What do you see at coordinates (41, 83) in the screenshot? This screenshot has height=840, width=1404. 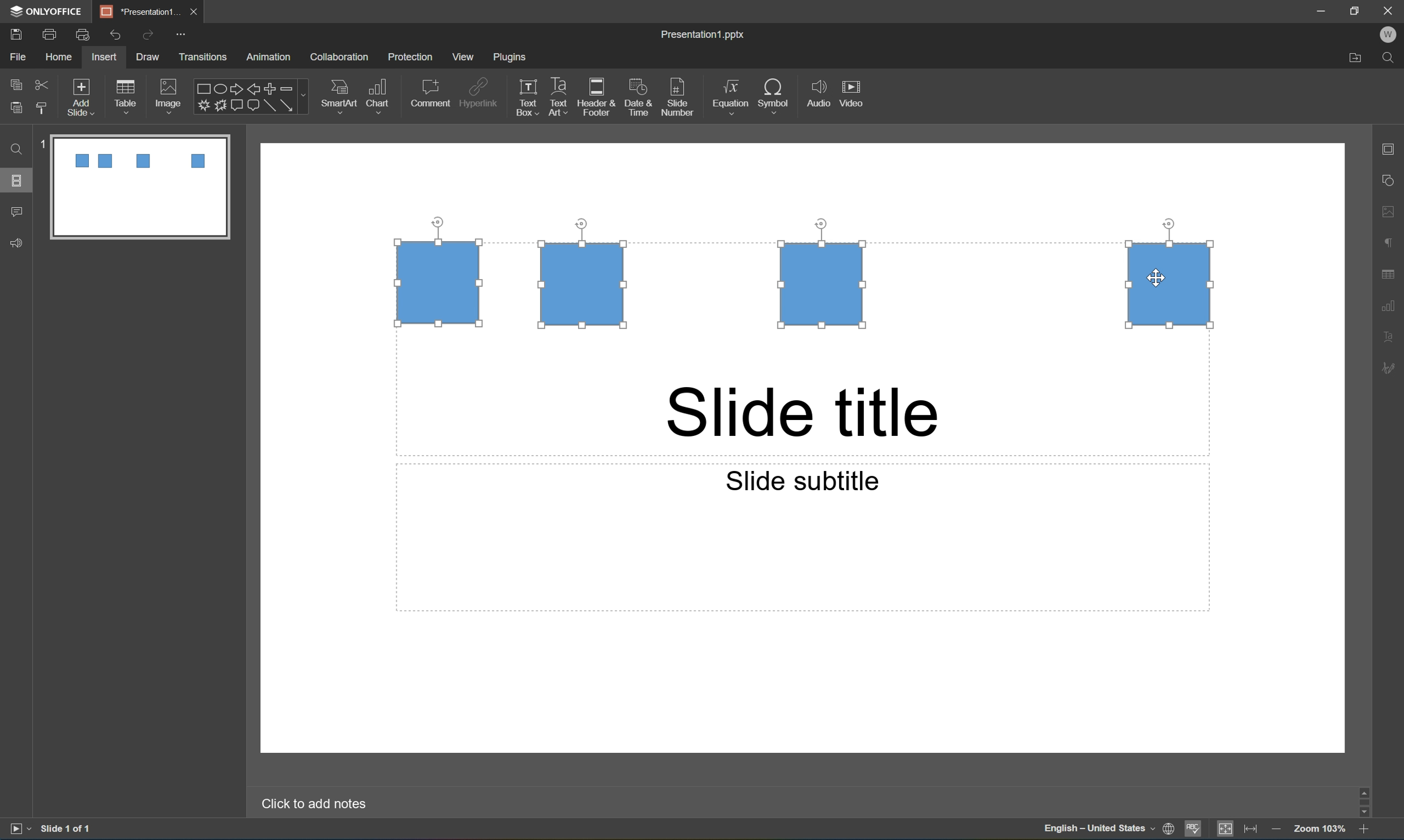 I see `cut` at bounding box center [41, 83].